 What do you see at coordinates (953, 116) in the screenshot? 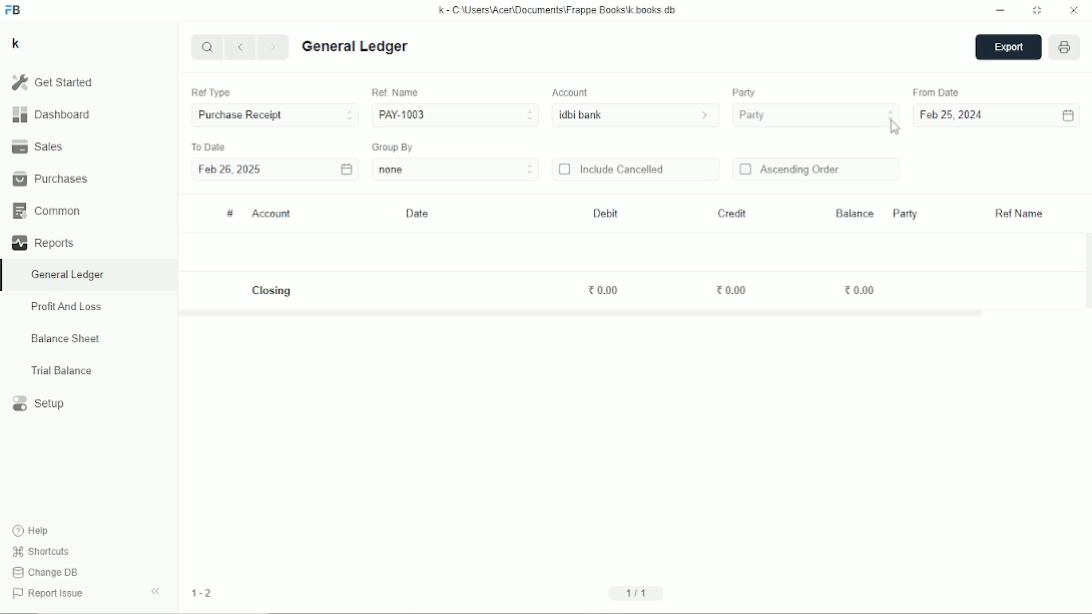
I see `Feb 25, 2024` at bounding box center [953, 116].